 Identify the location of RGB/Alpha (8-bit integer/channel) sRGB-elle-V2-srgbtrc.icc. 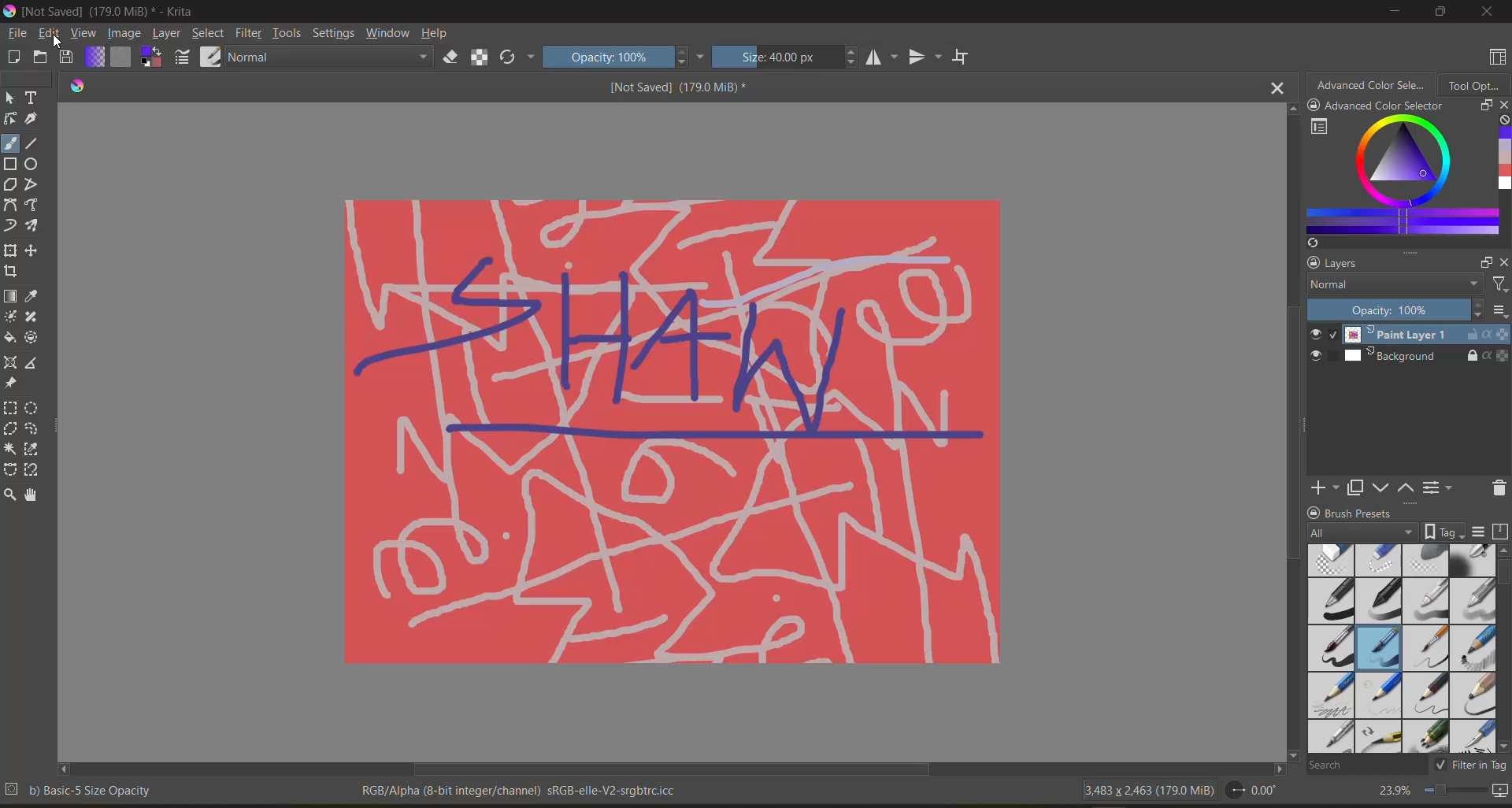
(521, 790).